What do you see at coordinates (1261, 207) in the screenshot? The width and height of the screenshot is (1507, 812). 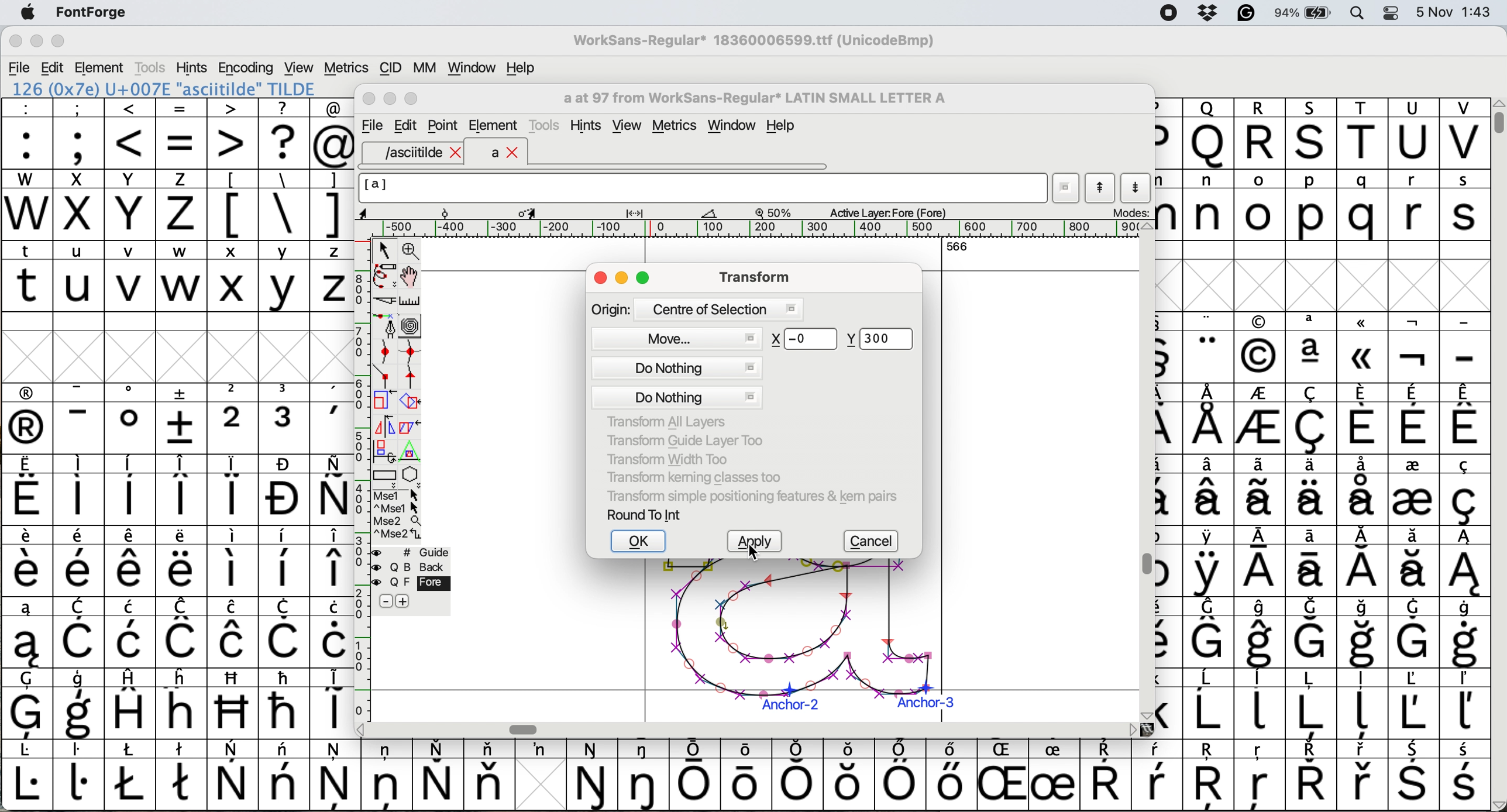 I see `o` at bounding box center [1261, 207].